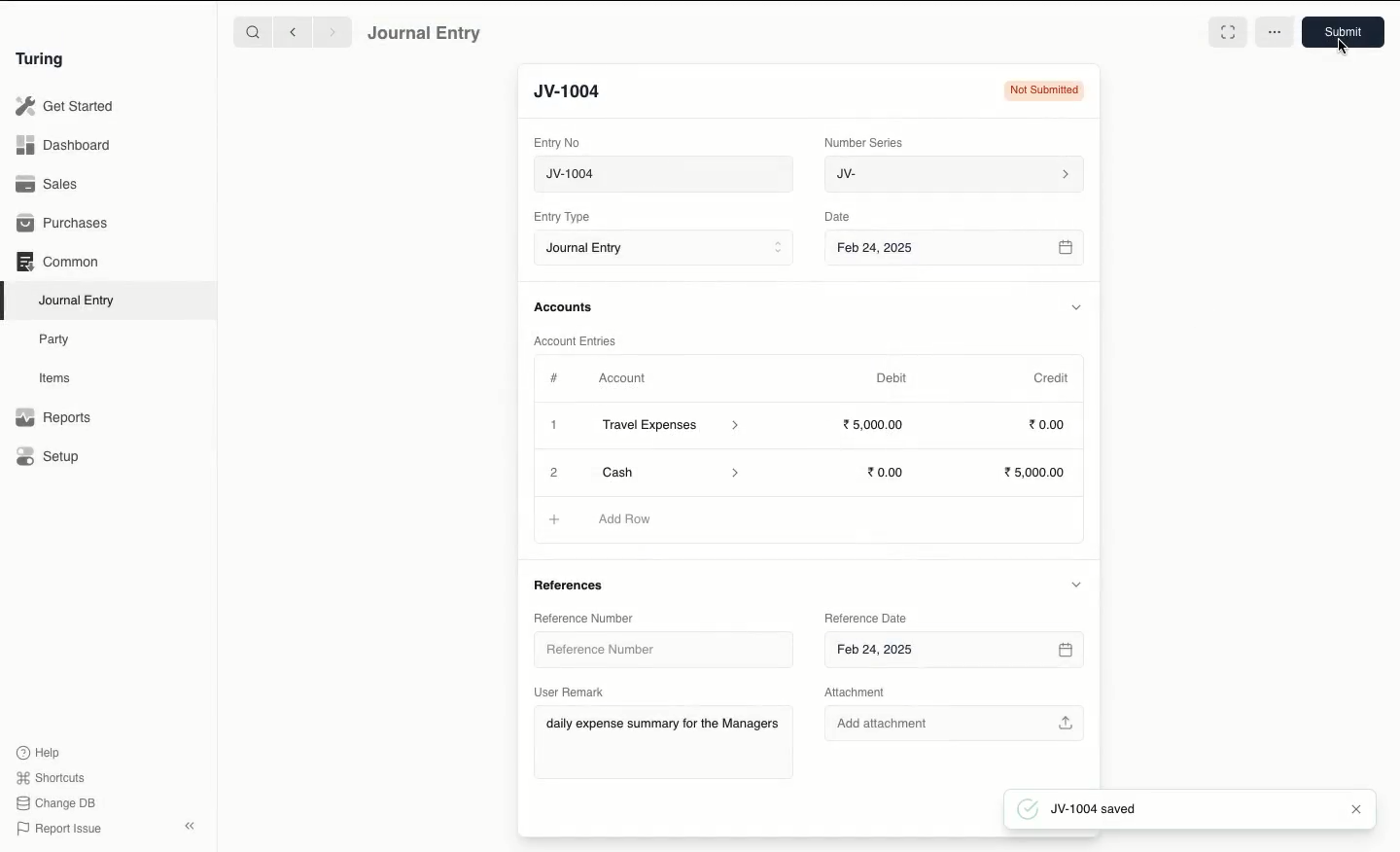 The width and height of the screenshot is (1400, 852). What do you see at coordinates (562, 217) in the screenshot?
I see `Entry Type` at bounding box center [562, 217].